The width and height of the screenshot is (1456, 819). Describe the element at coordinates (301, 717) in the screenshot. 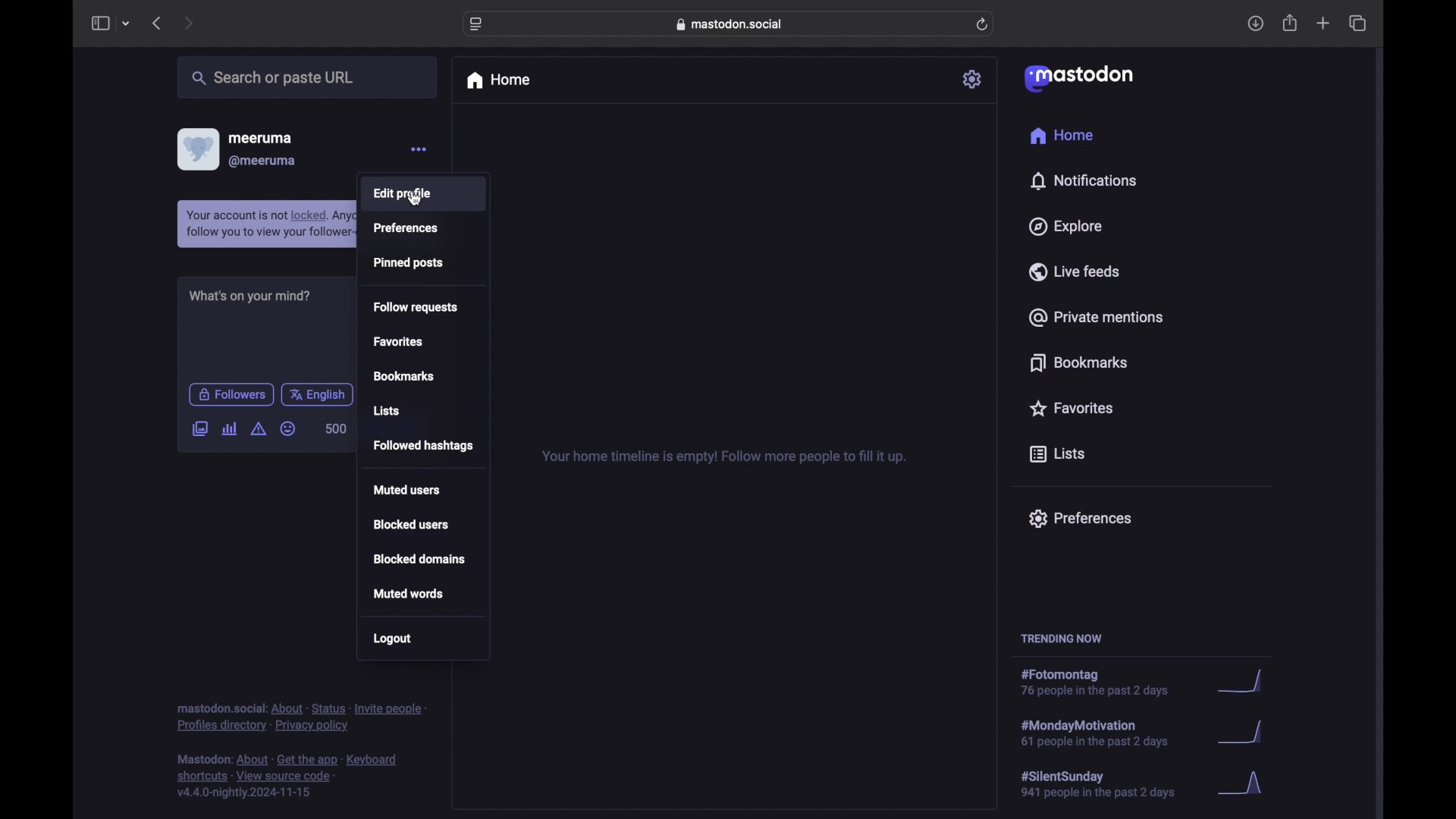

I see `footnote` at that location.